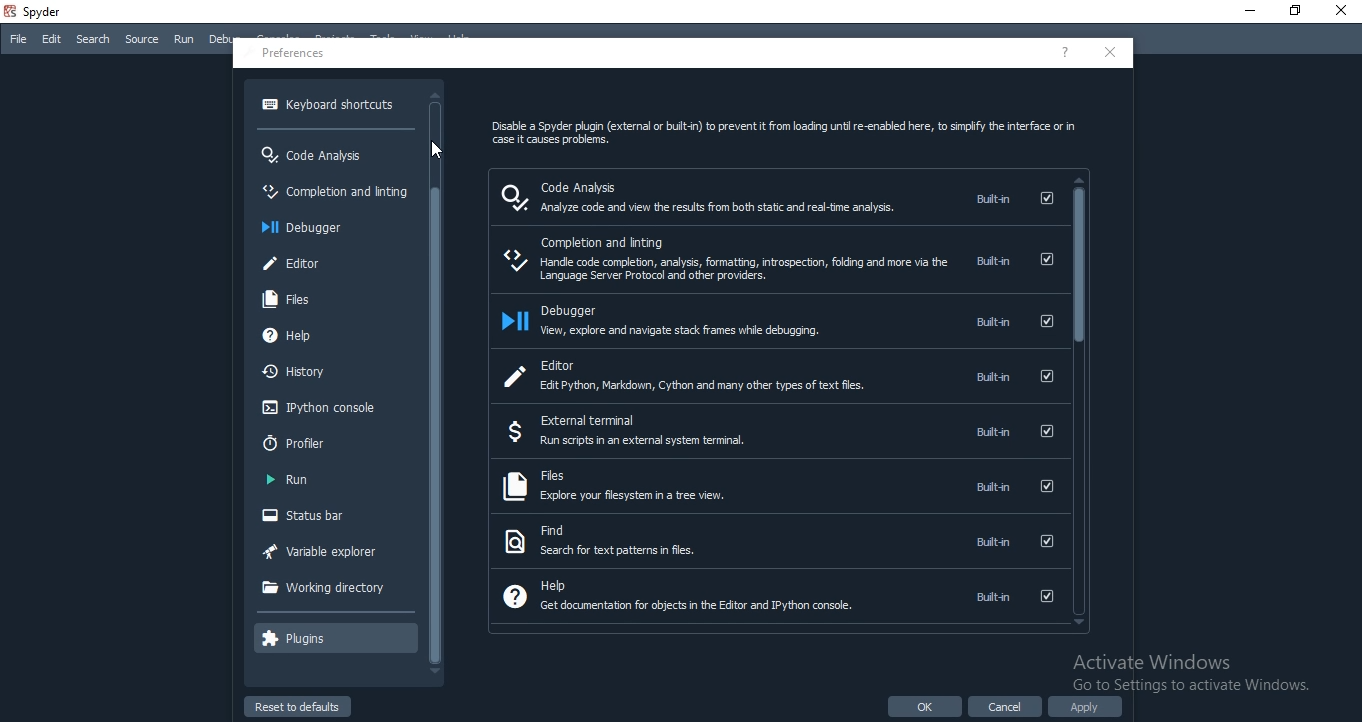  Describe the element at coordinates (1342, 12) in the screenshot. I see `close` at that location.